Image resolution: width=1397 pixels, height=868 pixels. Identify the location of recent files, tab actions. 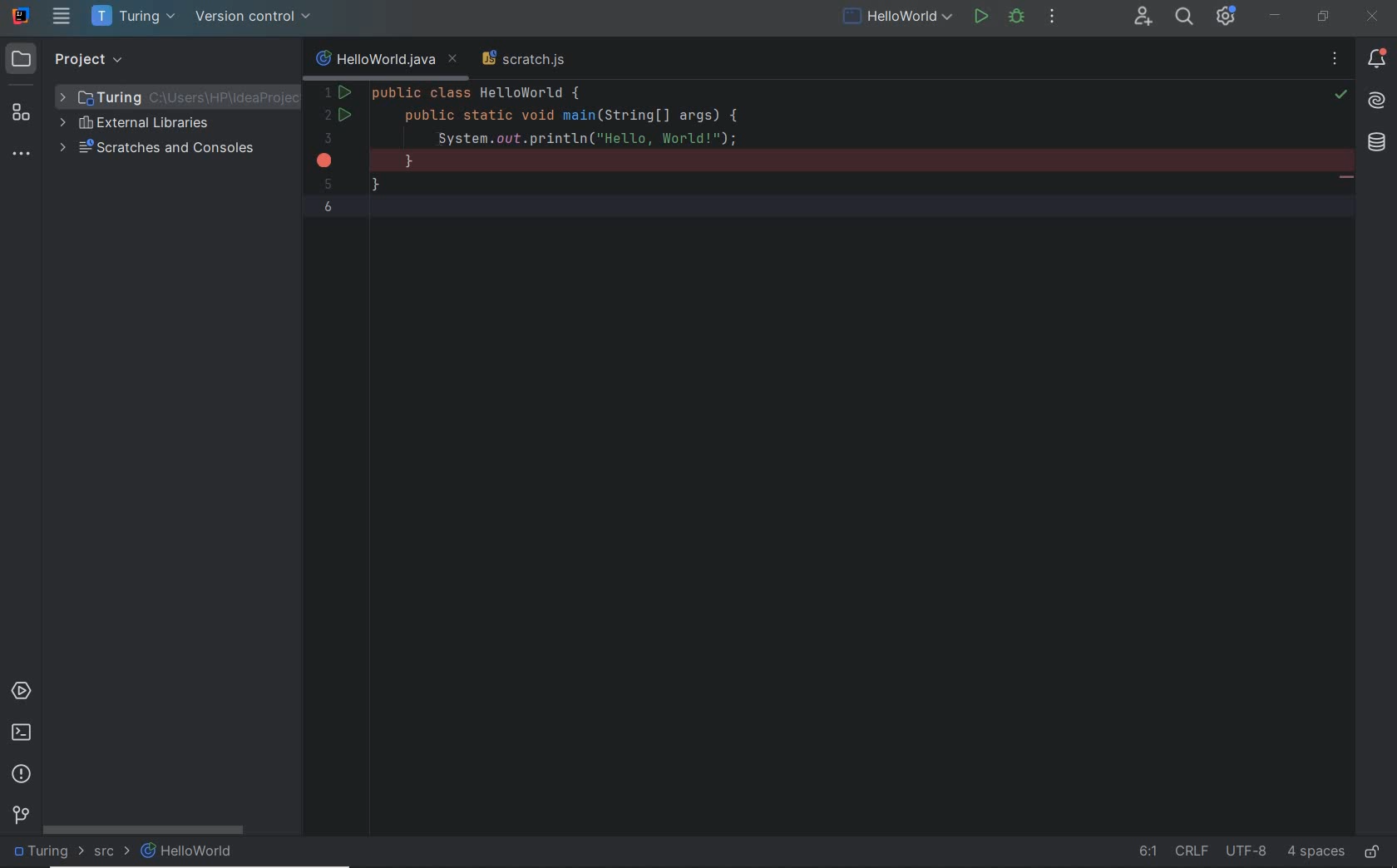
(1335, 61).